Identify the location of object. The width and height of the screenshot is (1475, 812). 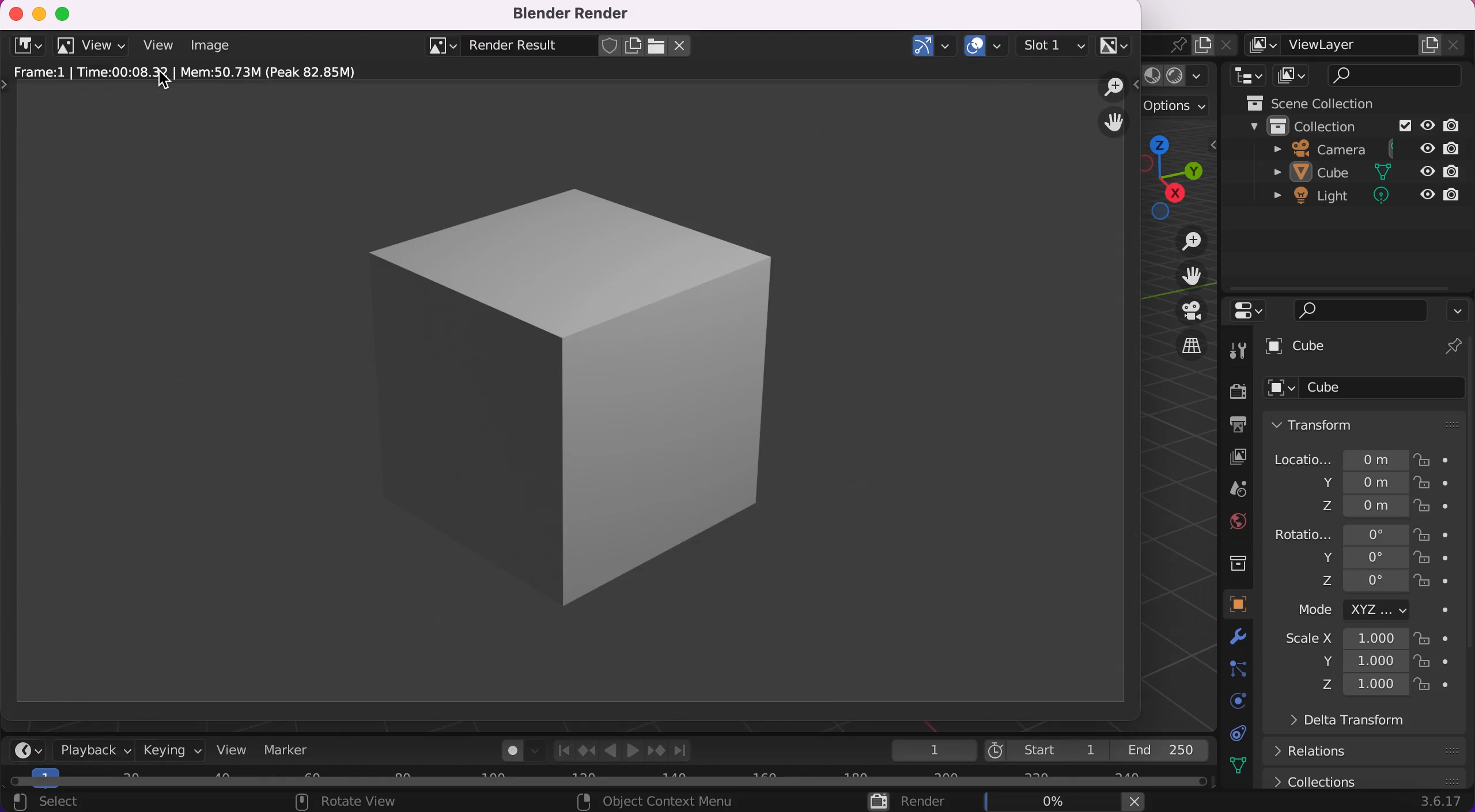
(1226, 604).